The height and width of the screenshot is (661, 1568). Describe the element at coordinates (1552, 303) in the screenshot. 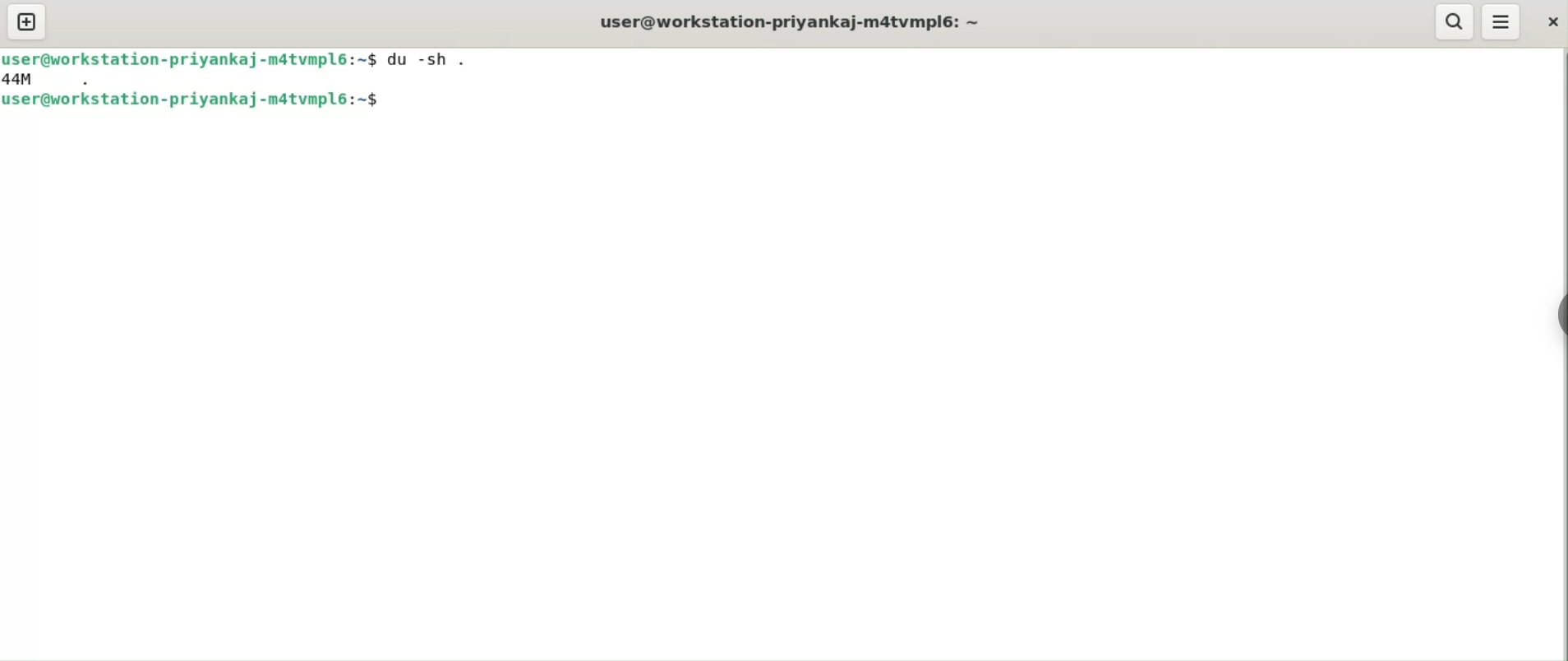

I see `Toggle Button` at that location.